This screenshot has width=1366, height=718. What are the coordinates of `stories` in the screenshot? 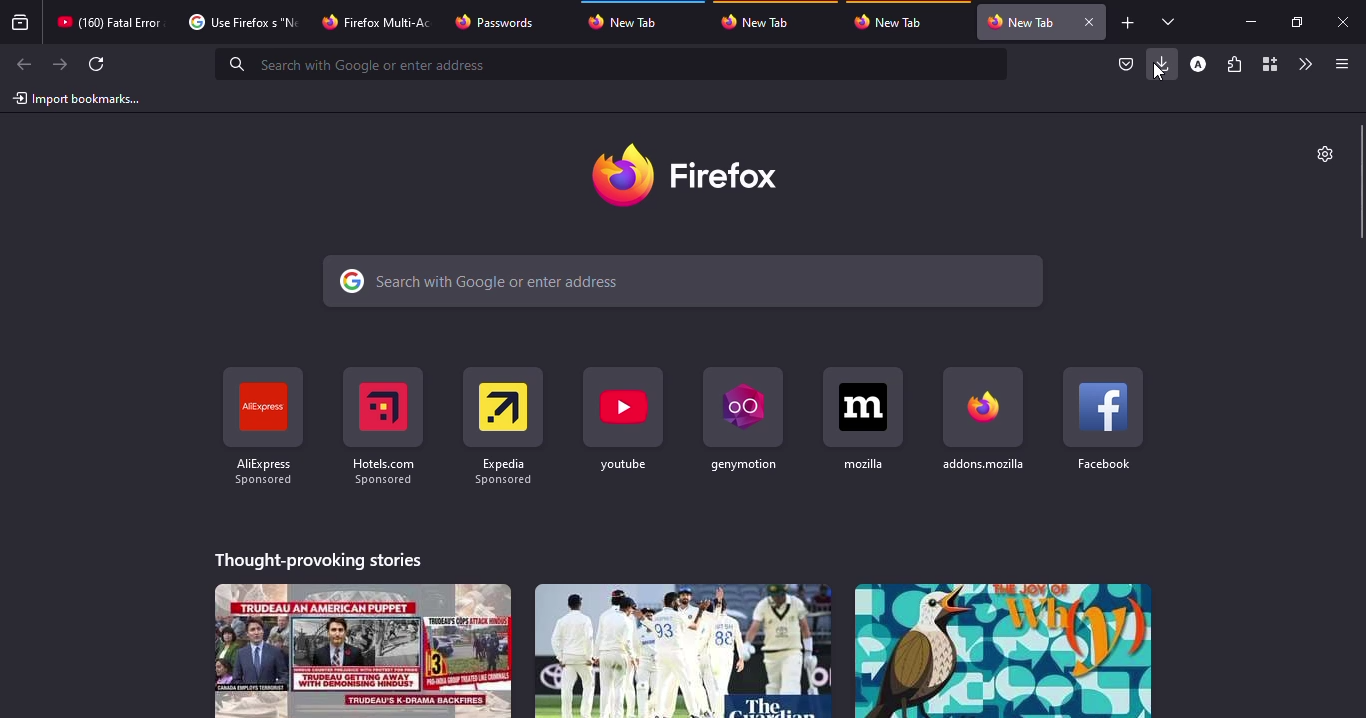 It's located at (320, 557).